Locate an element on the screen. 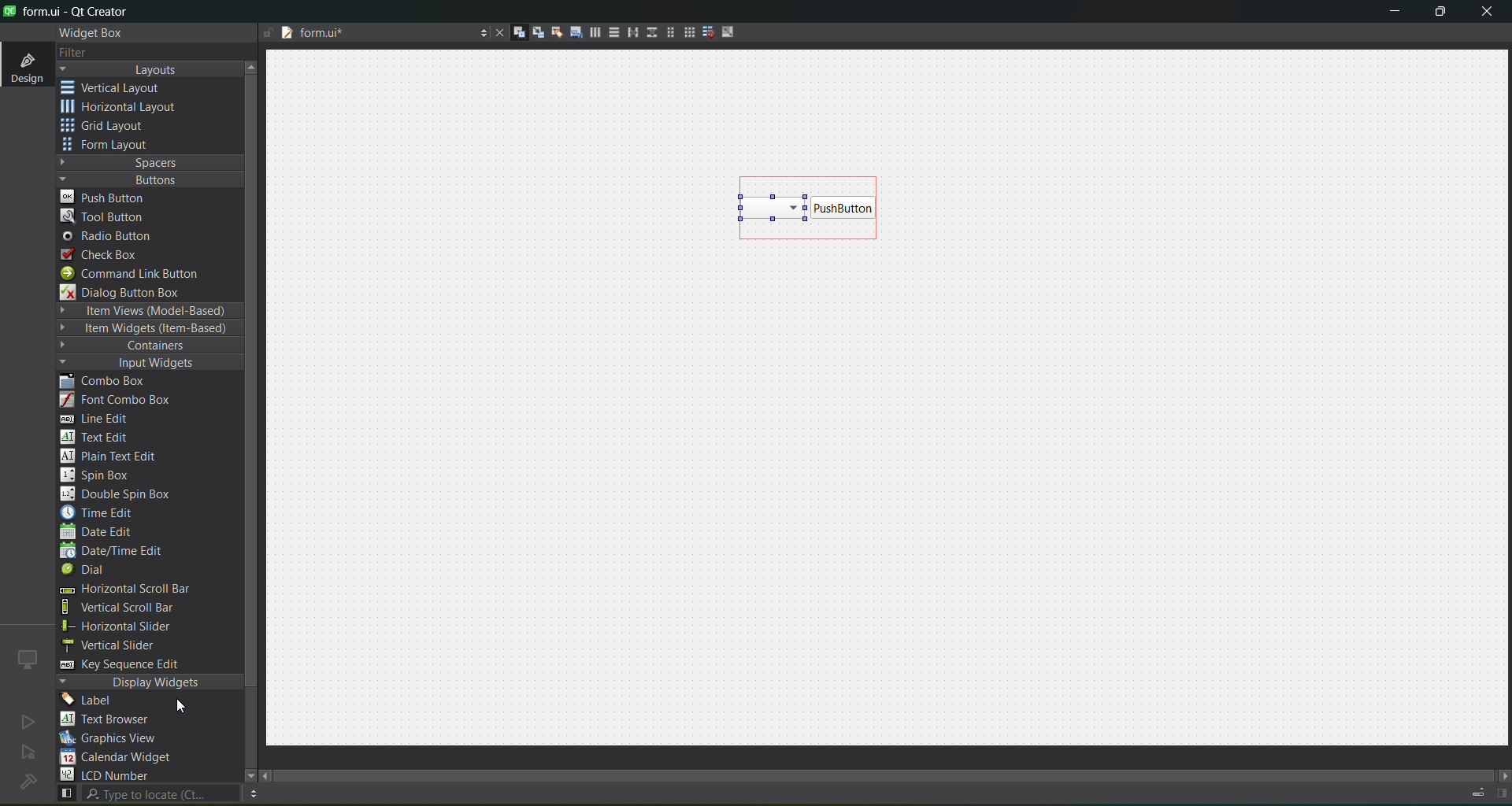 The image size is (1512, 806). date/time edit is located at coordinates (126, 552).